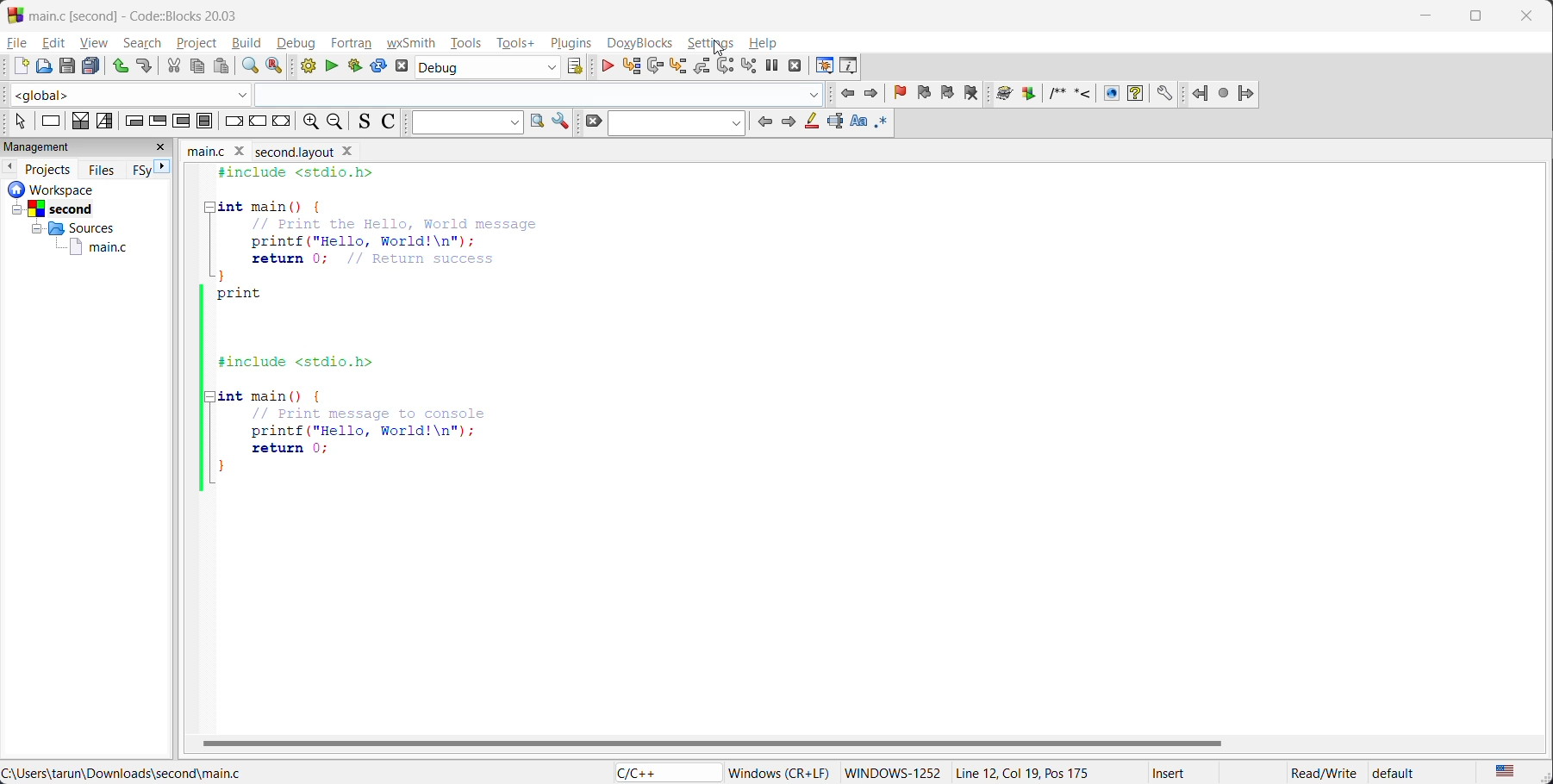 This screenshot has width=1553, height=784. I want to click on doxyblocks, so click(637, 42).